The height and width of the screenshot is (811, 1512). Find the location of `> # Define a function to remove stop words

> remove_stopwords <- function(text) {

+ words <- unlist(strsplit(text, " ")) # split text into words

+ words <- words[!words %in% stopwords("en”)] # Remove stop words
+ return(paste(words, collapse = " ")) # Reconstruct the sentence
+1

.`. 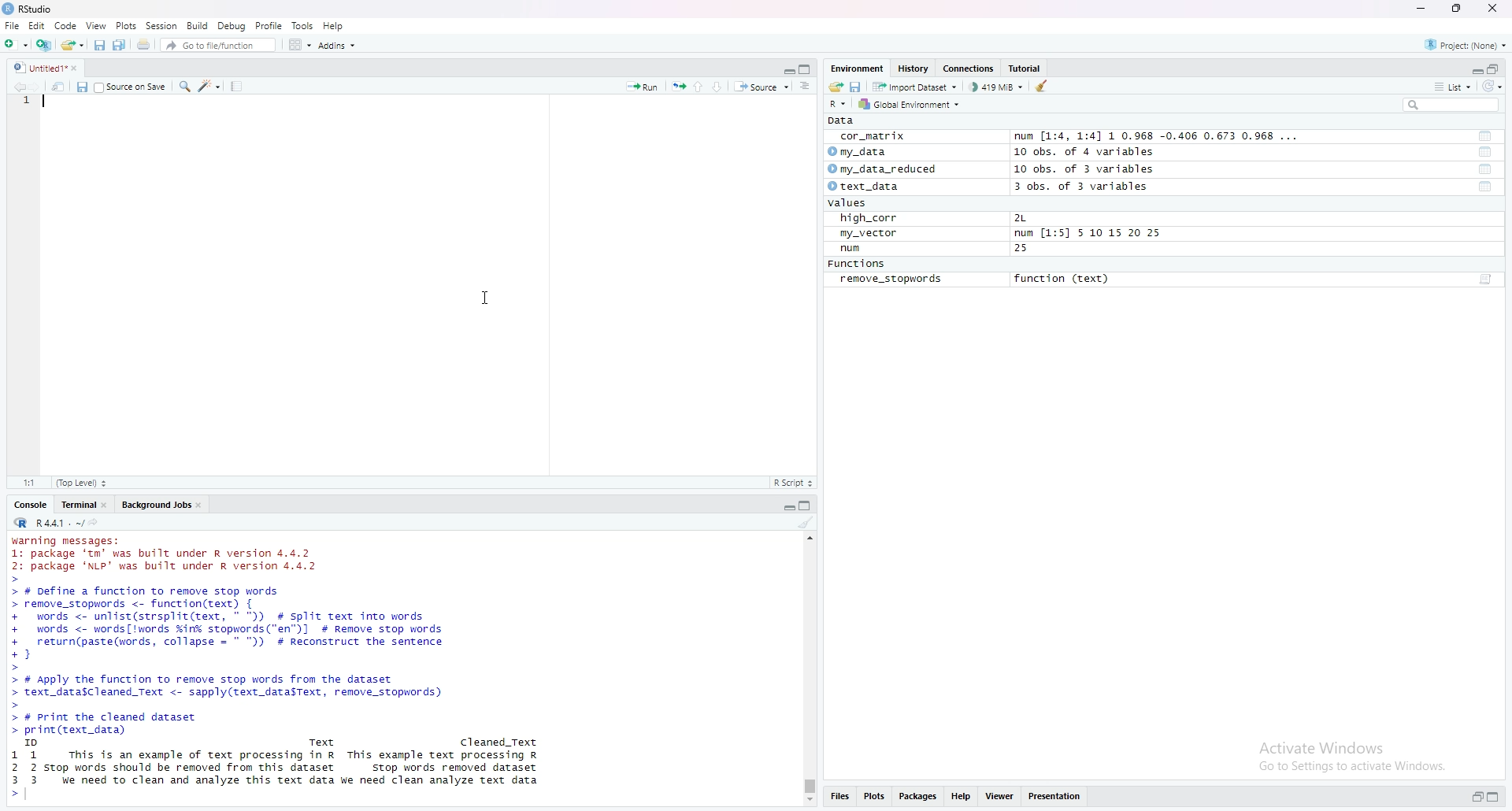

> # Define a function to remove stop words

> remove_stopwords <- function(text) {

+ words <- unlist(strsplit(text, " ")) # split text into words

+ words <- words[!words %in% stopwords("en”)] # Remove stop words
+ return(paste(words, collapse = " ")) # Reconstruct the sentence
+1

. is located at coordinates (246, 626).